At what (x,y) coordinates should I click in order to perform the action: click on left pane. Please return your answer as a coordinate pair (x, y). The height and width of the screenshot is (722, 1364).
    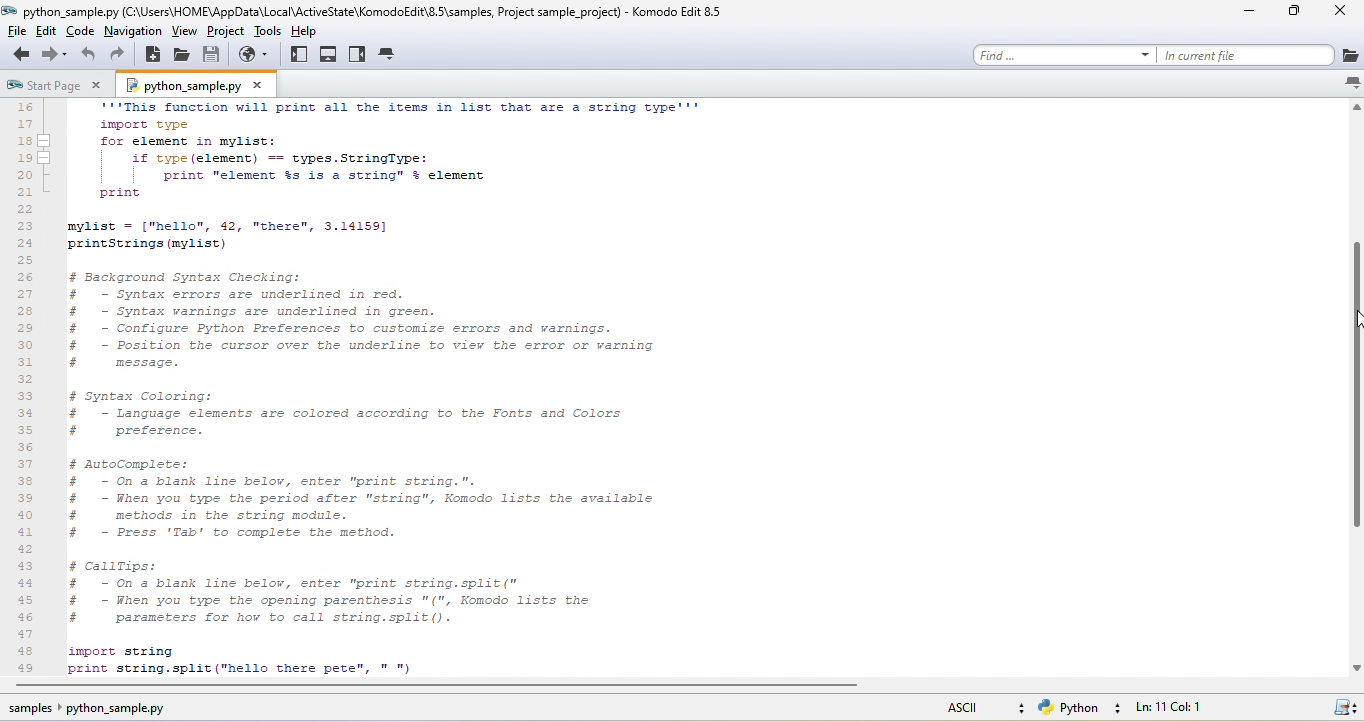
    Looking at the image, I should click on (300, 55).